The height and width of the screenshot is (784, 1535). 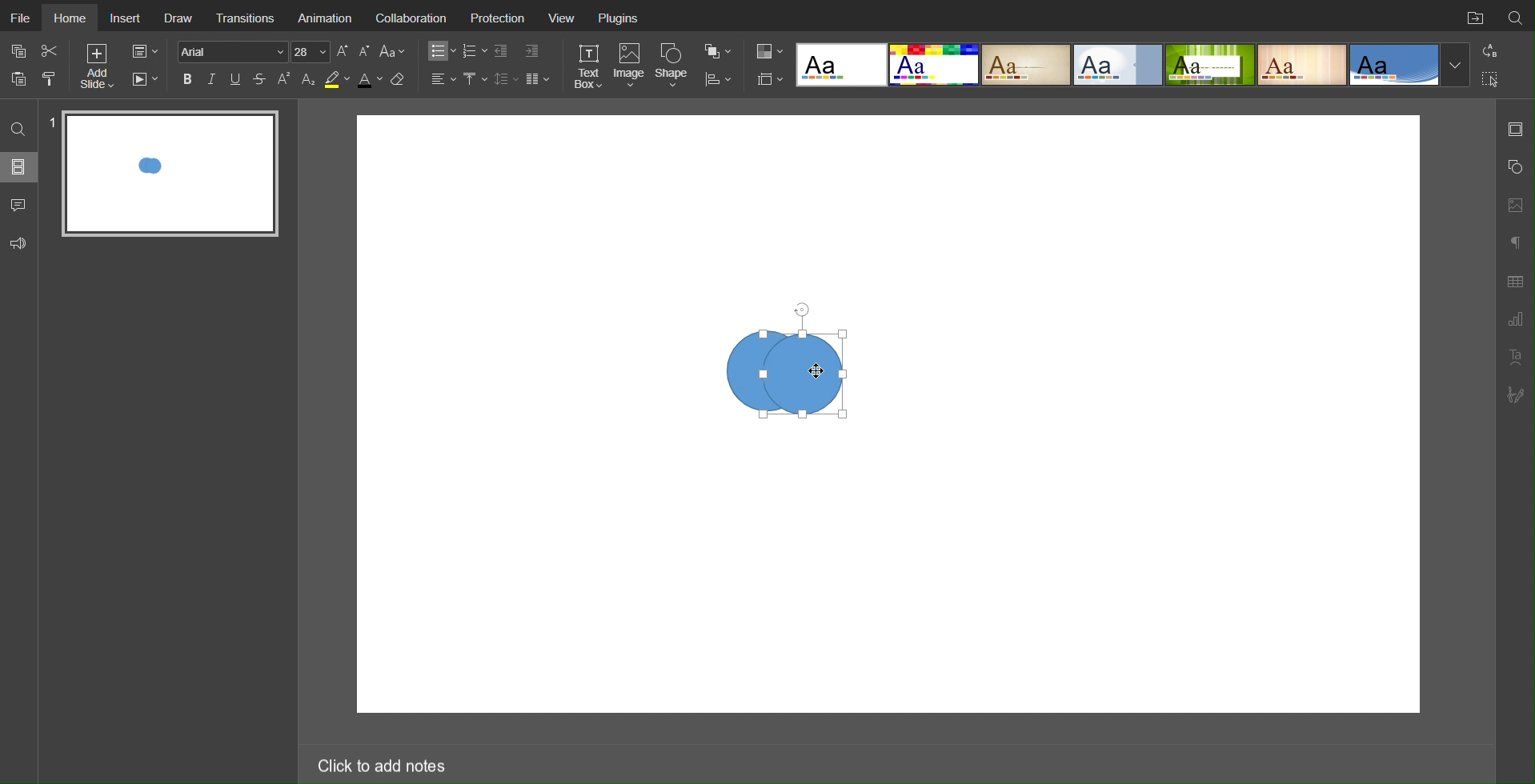 What do you see at coordinates (21, 17) in the screenshot?
I see `File` at bounding box center [21, 17].